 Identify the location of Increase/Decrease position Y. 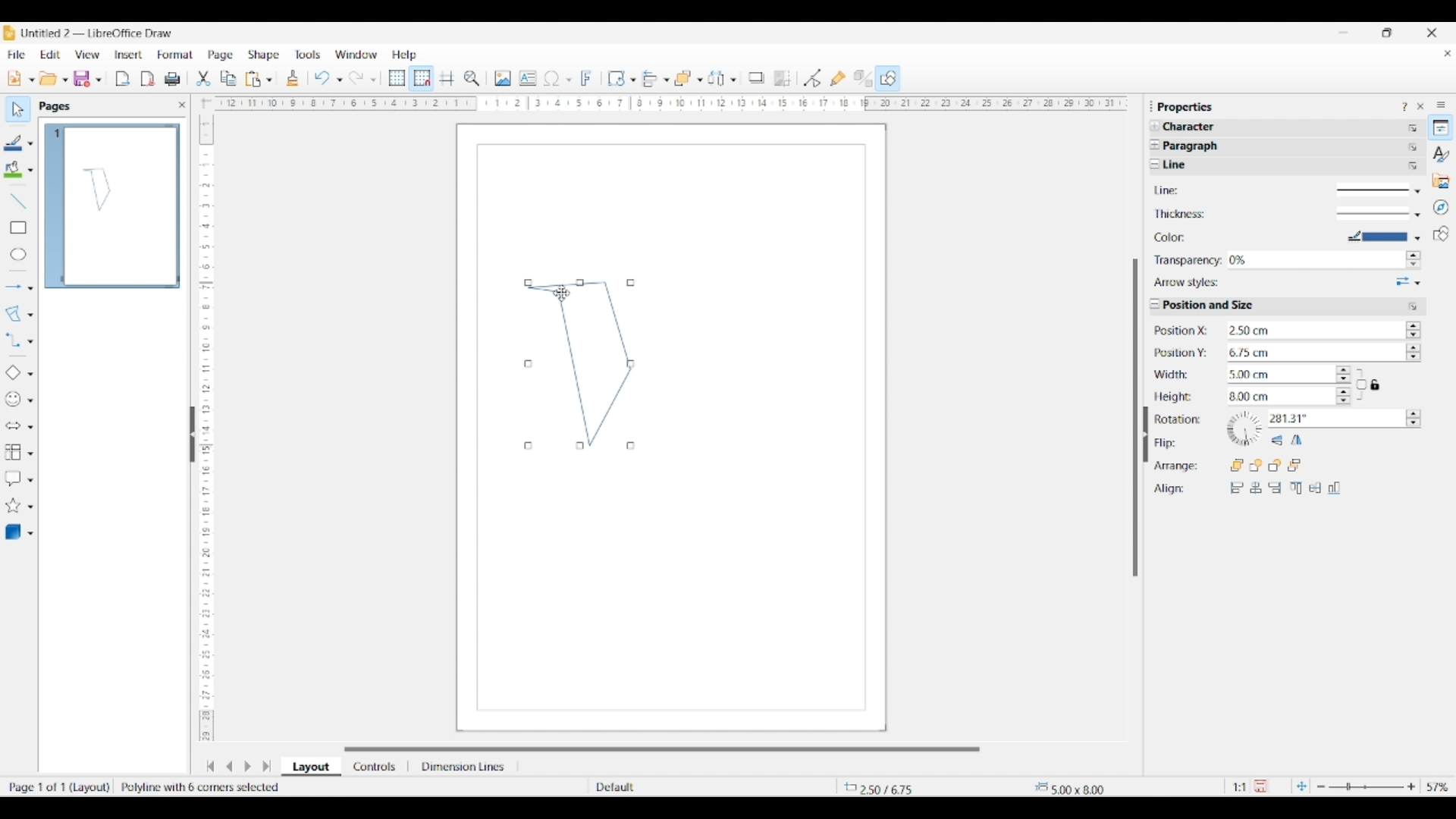
(1414, 351).